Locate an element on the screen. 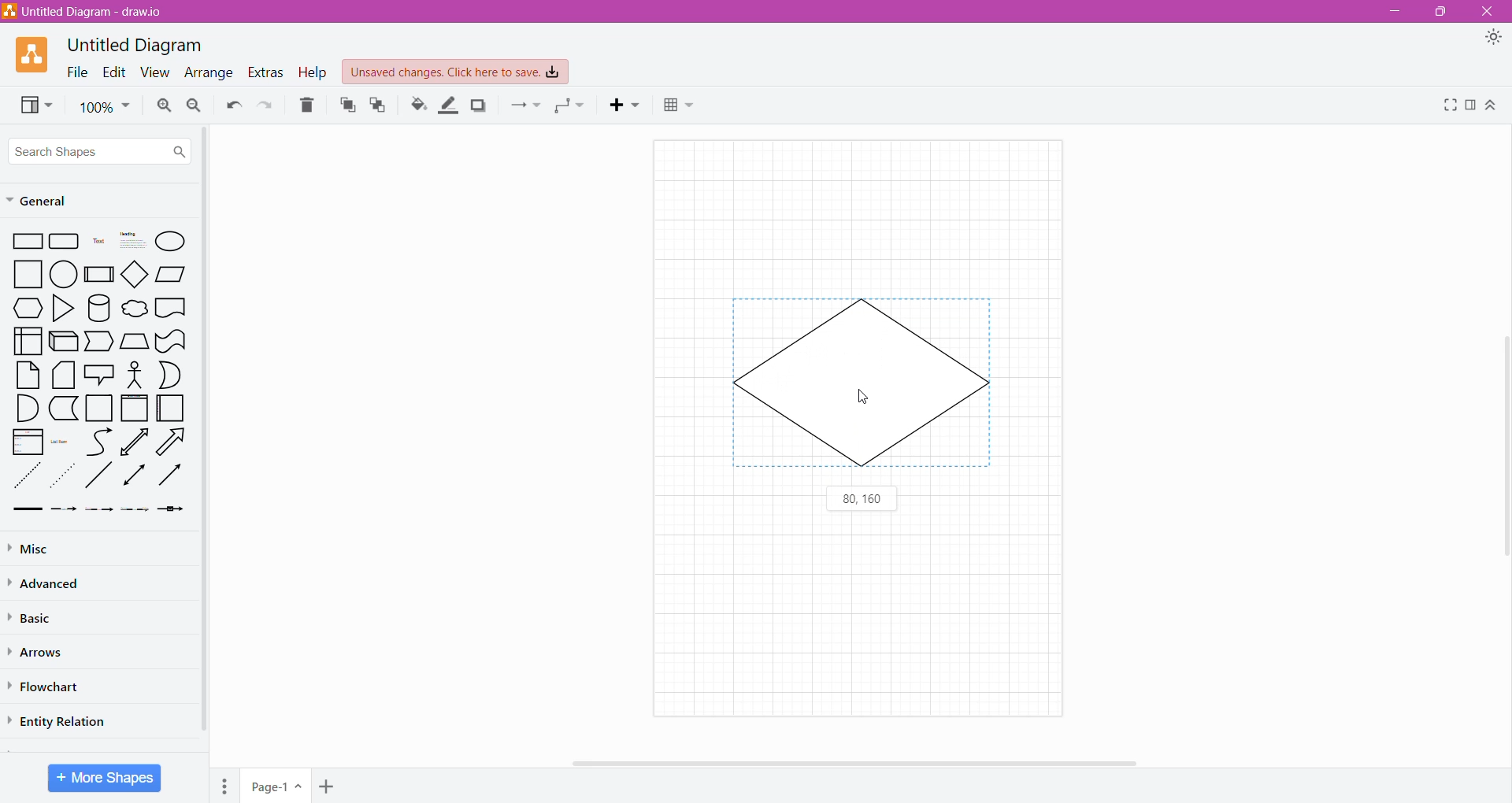  Untitled Diagram is located at coordinates (139, 44).